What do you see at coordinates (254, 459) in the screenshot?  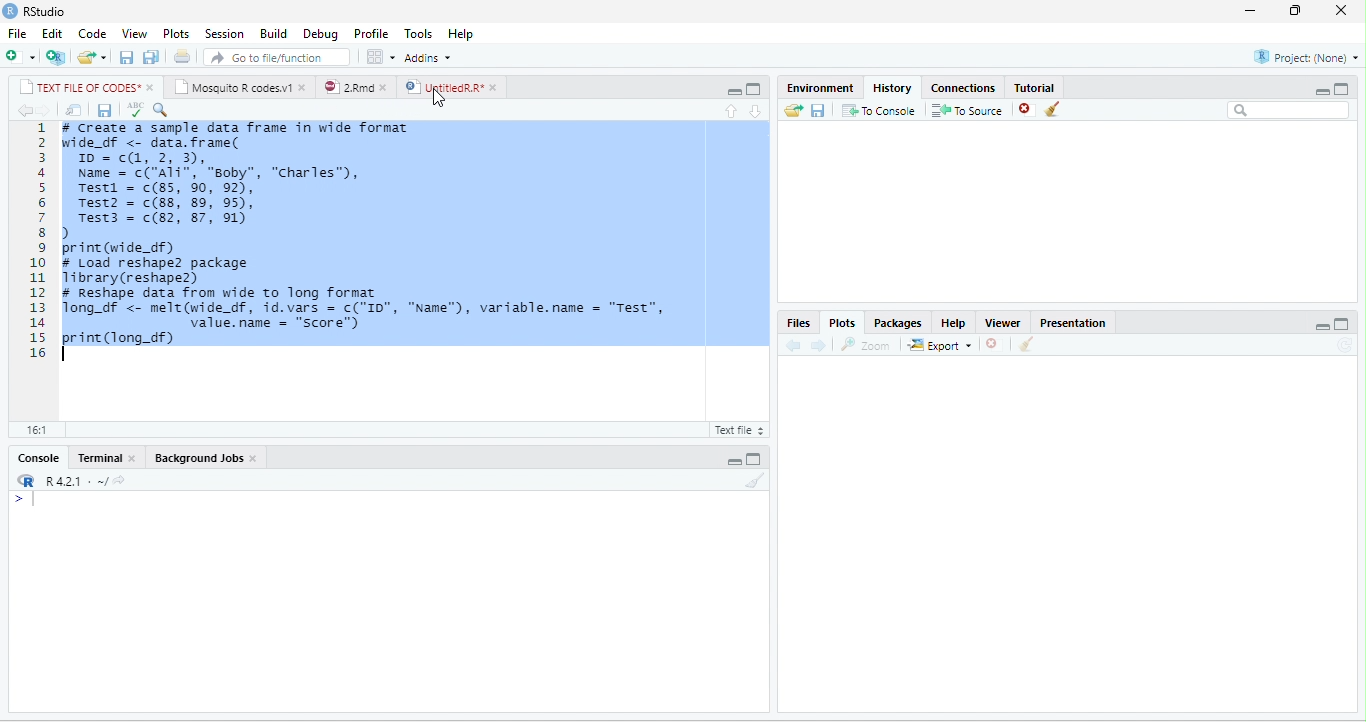 I see `close` at bounding box center [254, 459].